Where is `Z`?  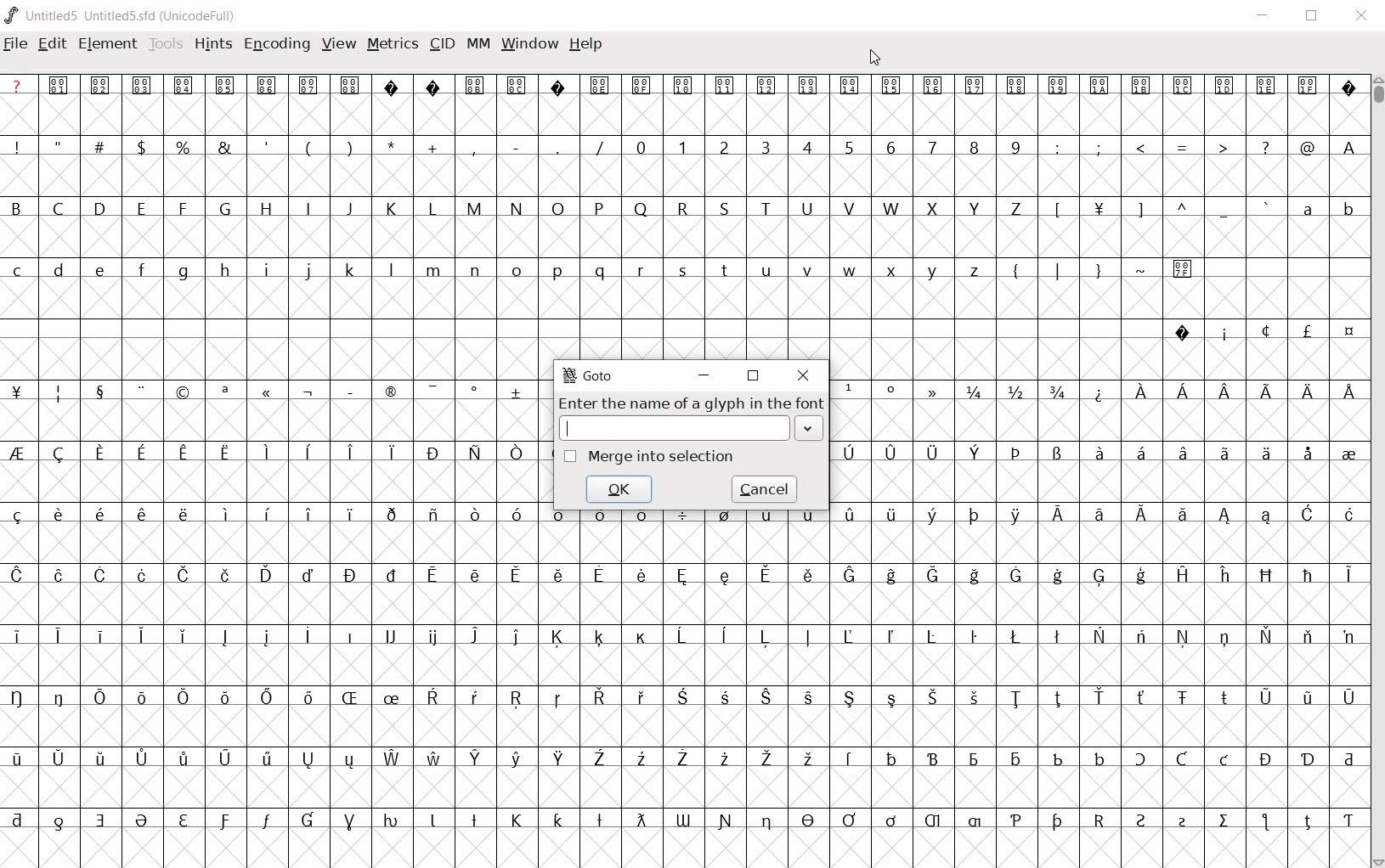
Z is located at coordinates (1016, 210).